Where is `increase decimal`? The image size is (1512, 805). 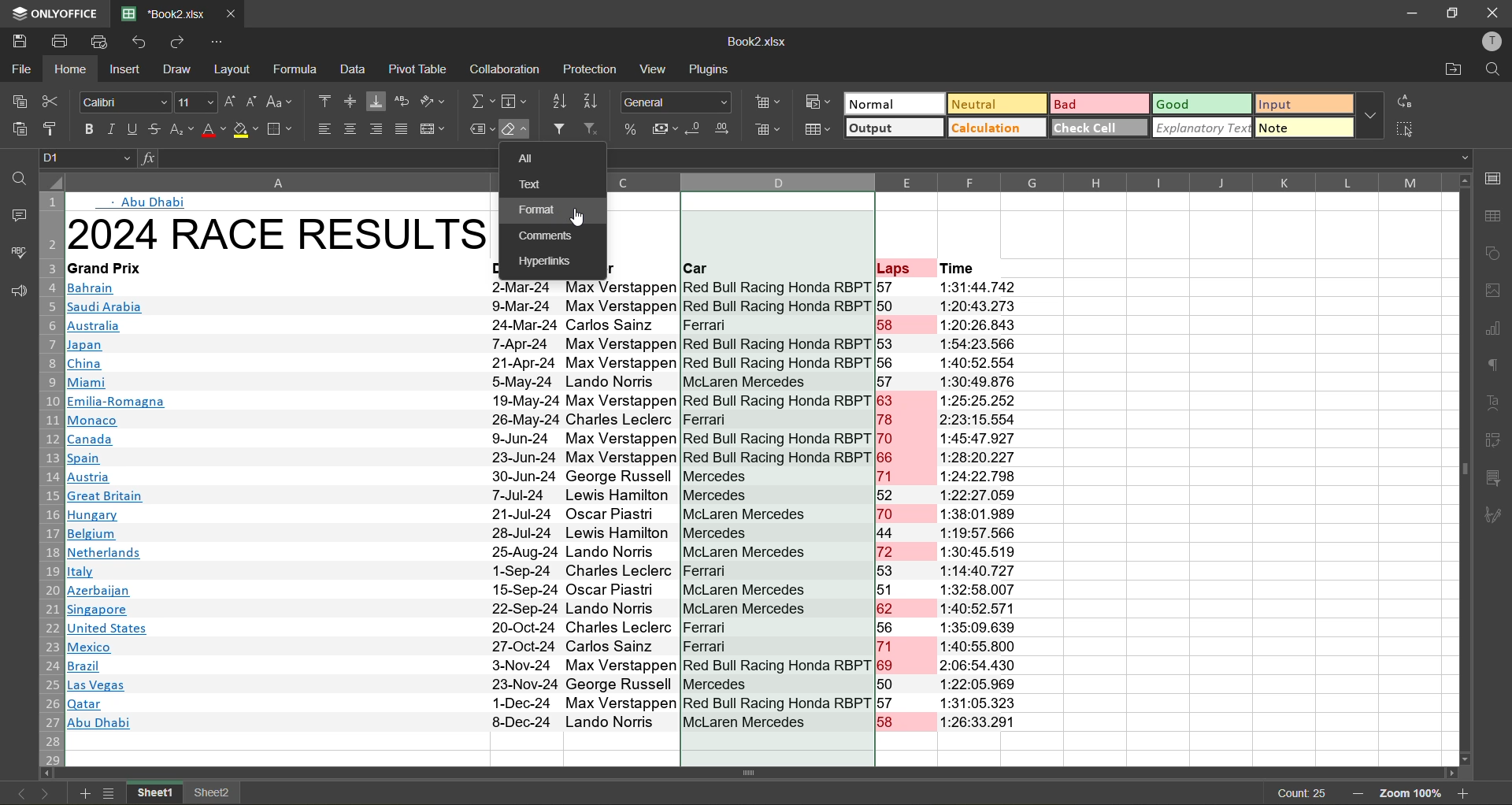
increase decimal is located at coordinates (724, 128).